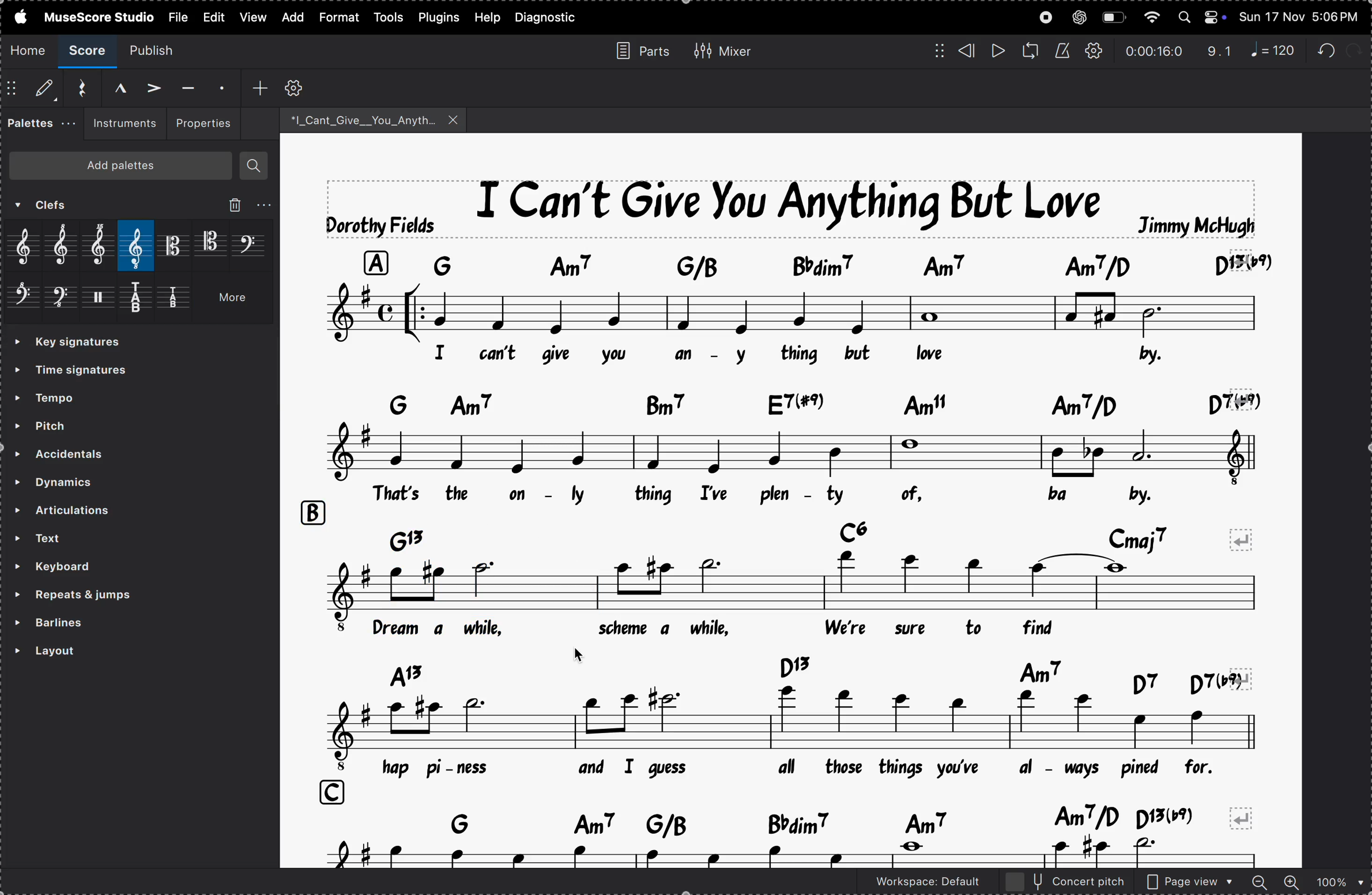 Image resolution: width=1372 pixels, height=895 pixels. What do you see at coordinates (24, 300) in the screenshot?
I see `bass clef 8 va alta` at bounding box center [24, 300].